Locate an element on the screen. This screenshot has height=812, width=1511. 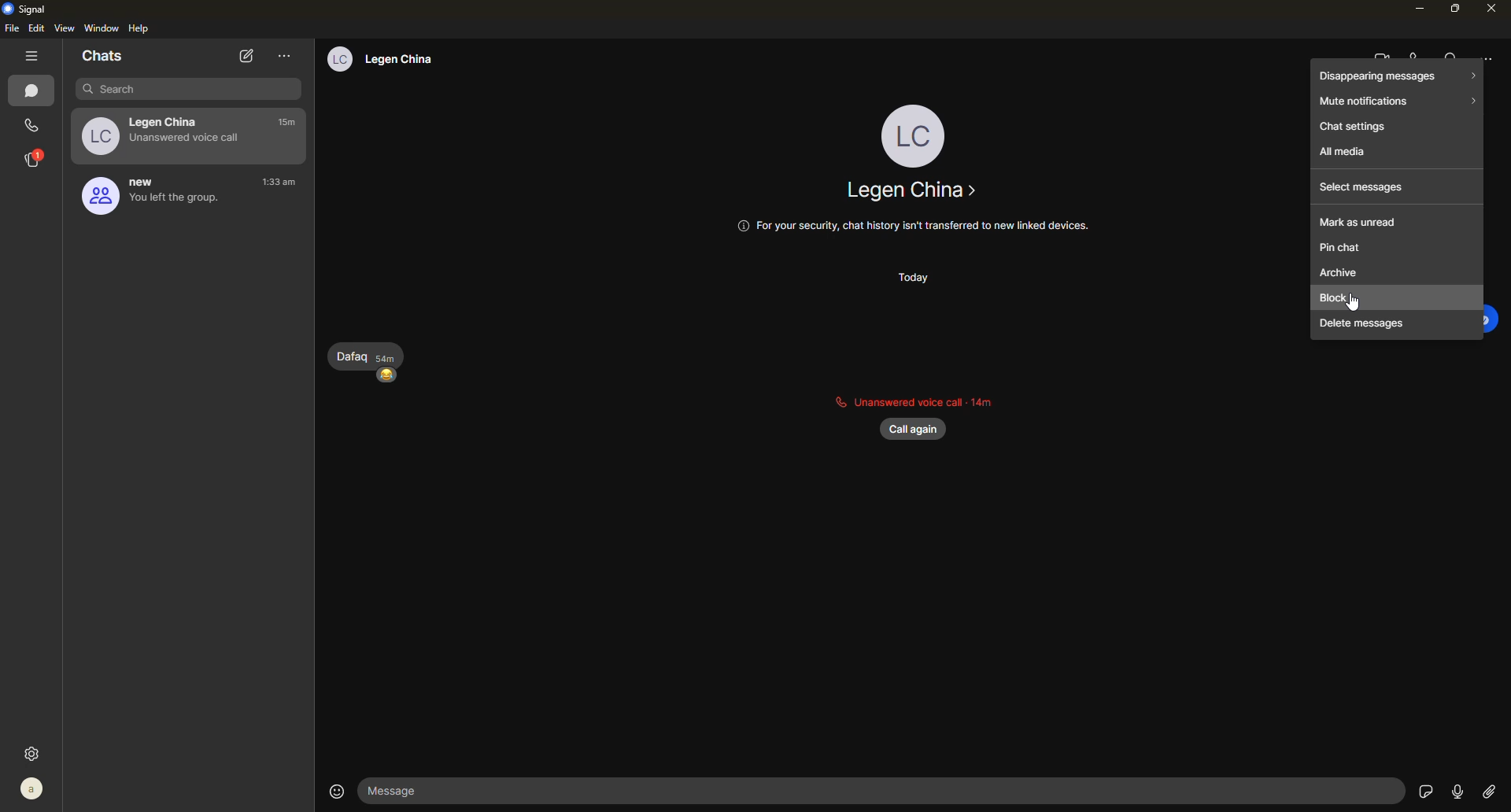
disappearing messages is located at coordinates (1398, 74).